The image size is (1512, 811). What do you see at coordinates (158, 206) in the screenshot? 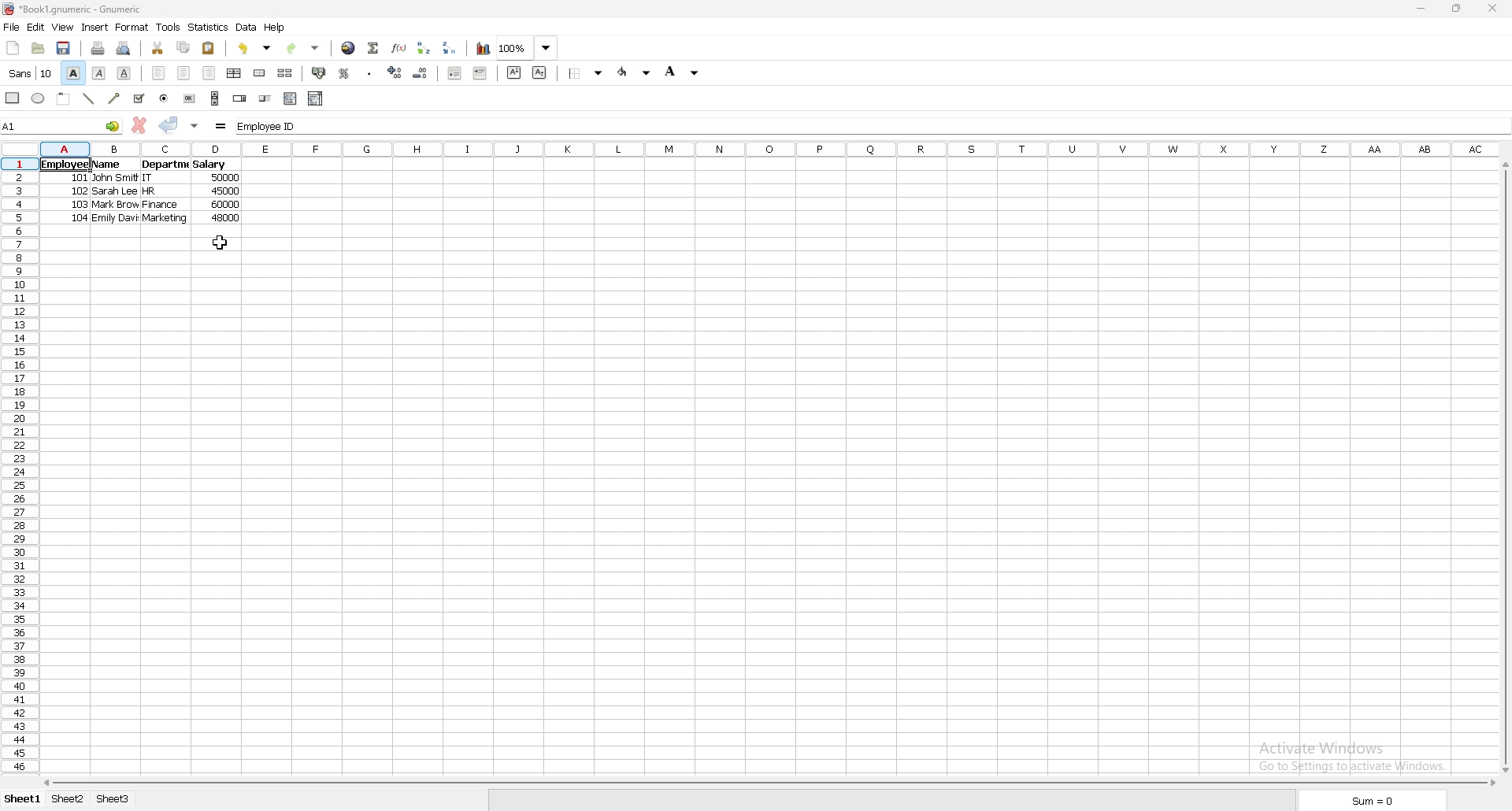
I see `finance` at bounding box center [158, 206].